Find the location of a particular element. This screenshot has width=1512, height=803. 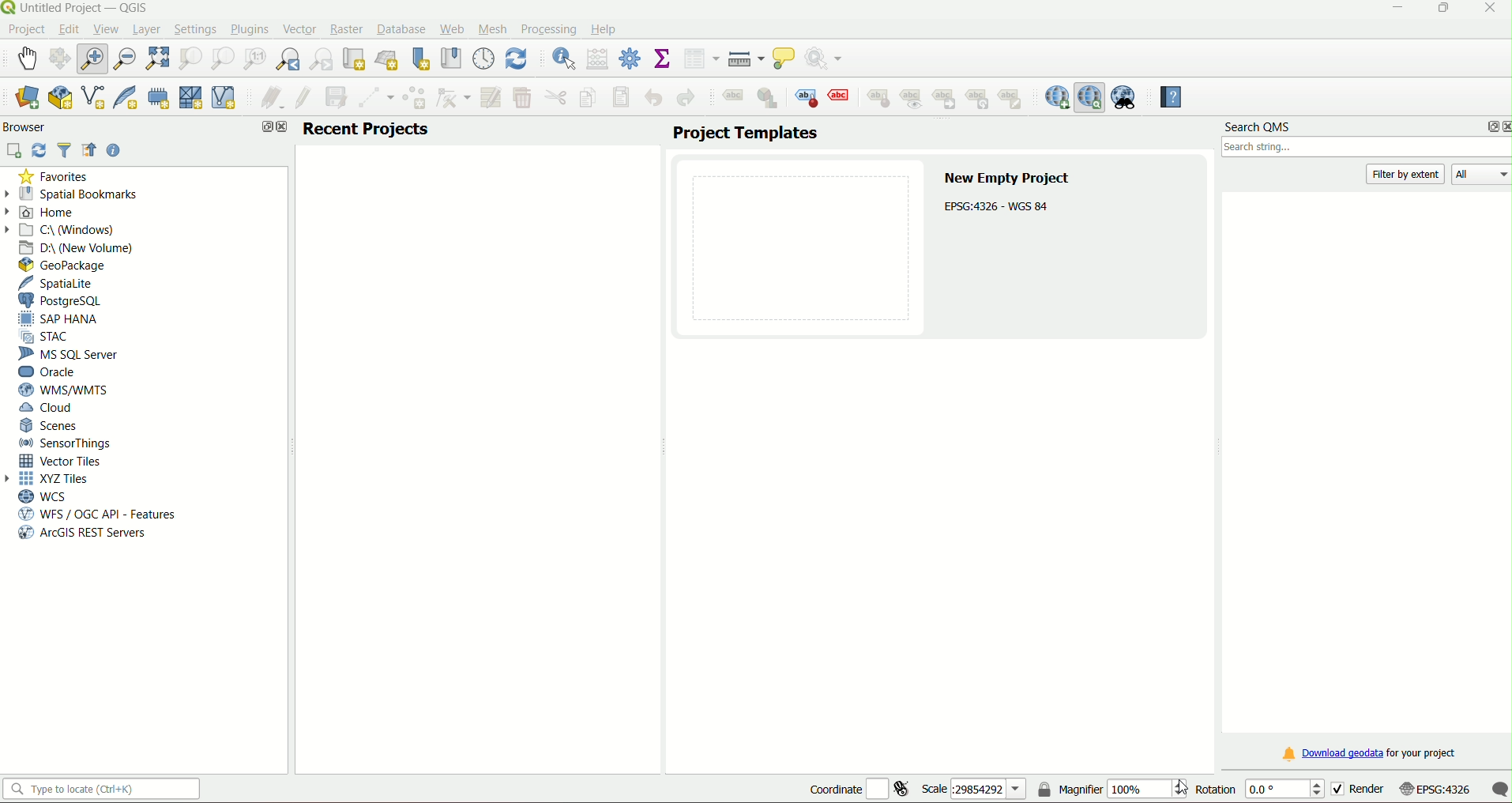

Sensor Things is located at coordinates (66, 443).